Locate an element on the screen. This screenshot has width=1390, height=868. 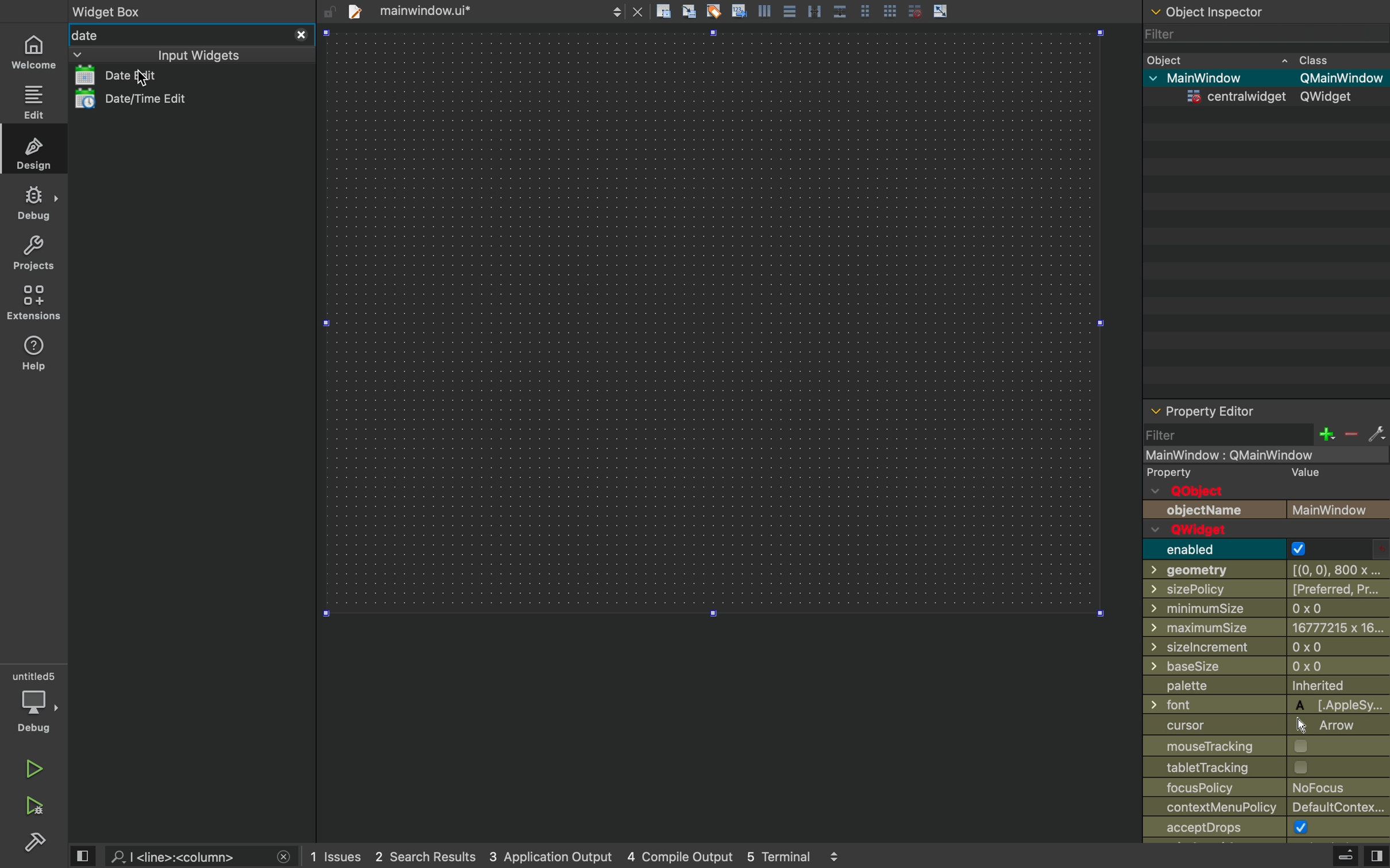
close is located at coordinates (302, 35).